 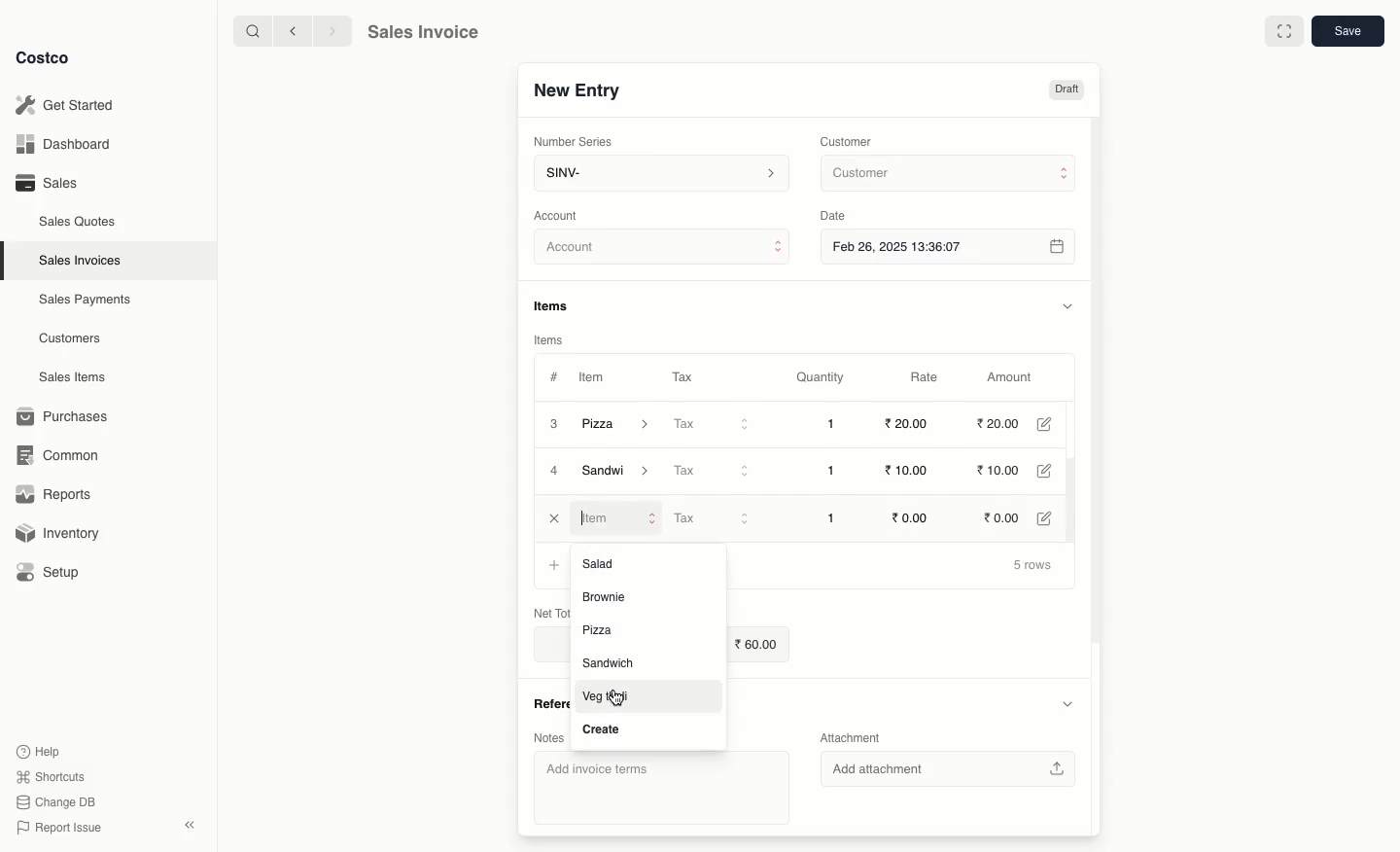 What do you see at coordinates (46, 183) in the screenshot?
I see `Sales` at bounding box center [46, 183].